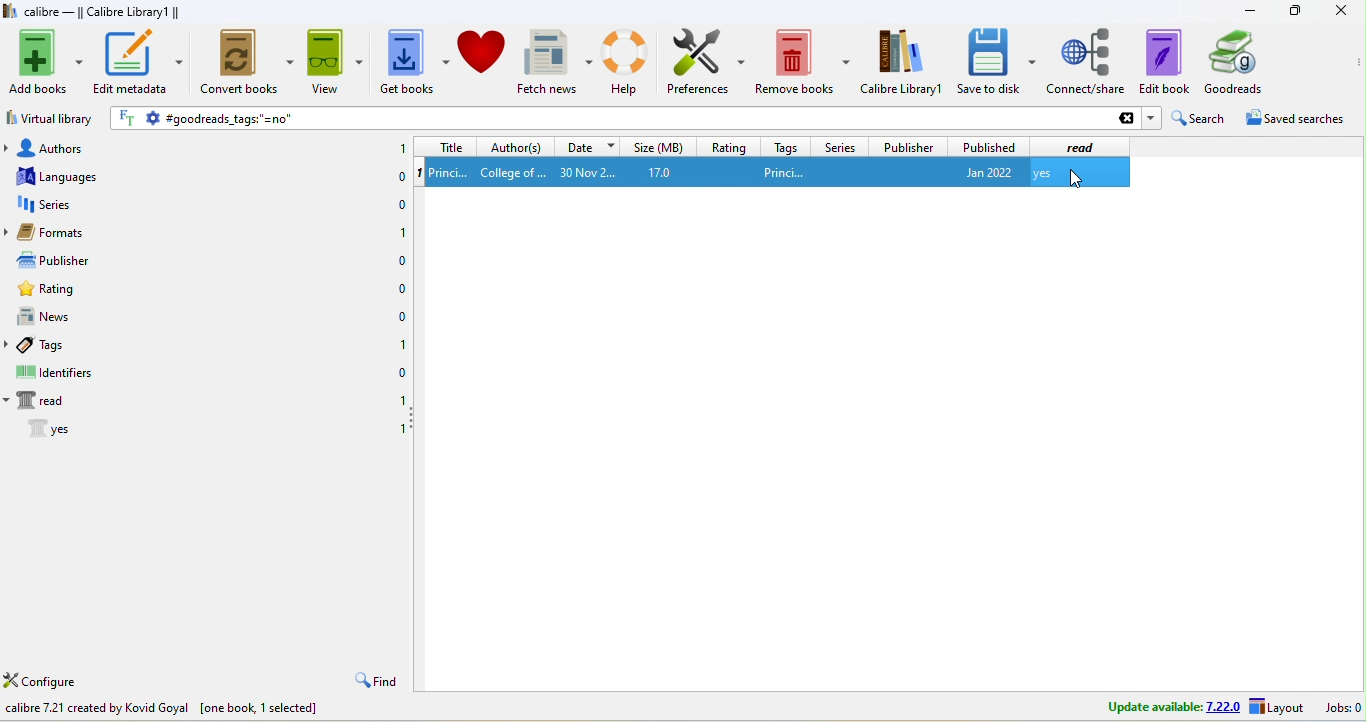 This screenshot has height=722, width=1366. I want to click on rating, so click(728, 146).